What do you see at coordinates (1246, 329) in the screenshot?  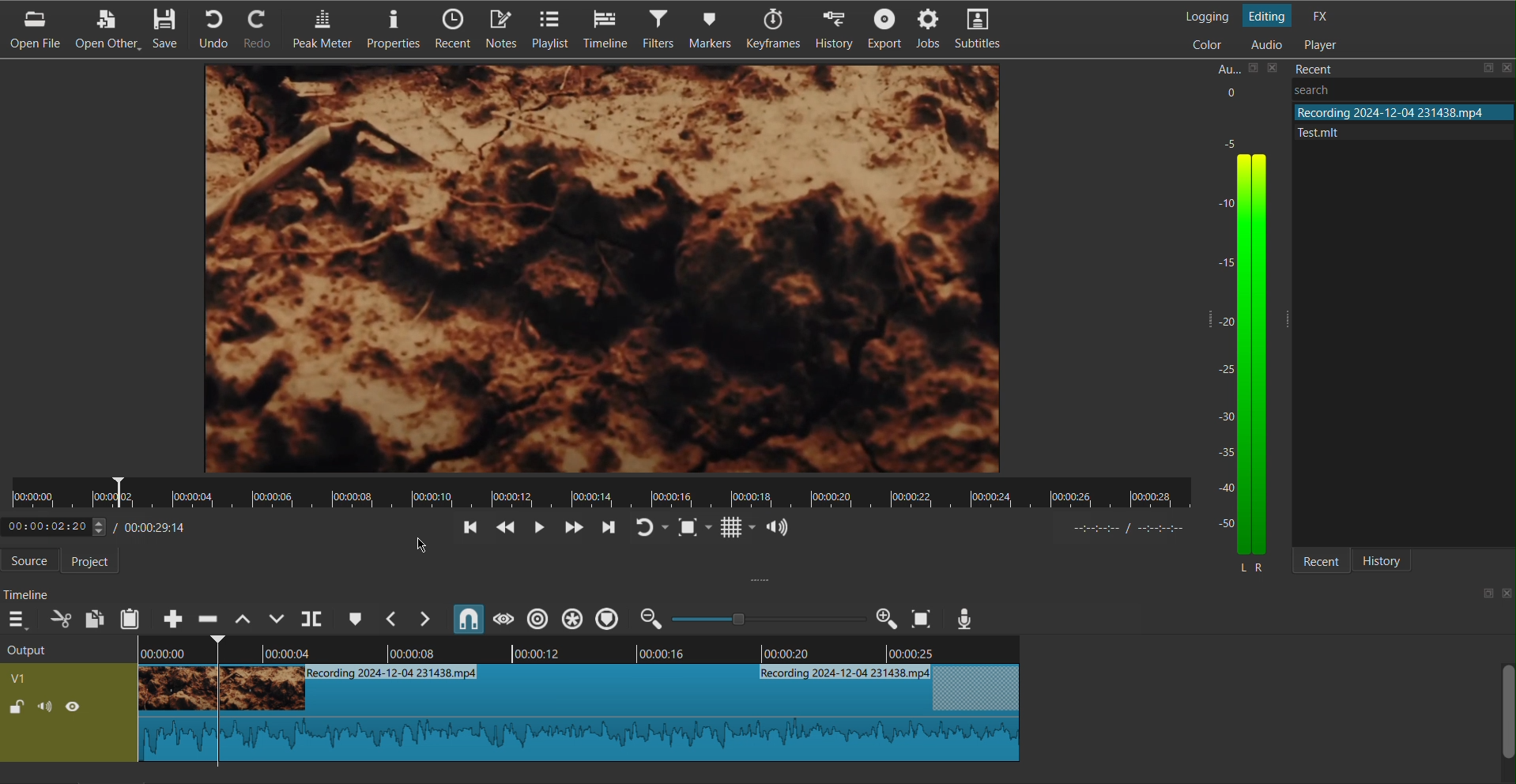 I see `Audio Levels` at bounding box center [1246, 329].